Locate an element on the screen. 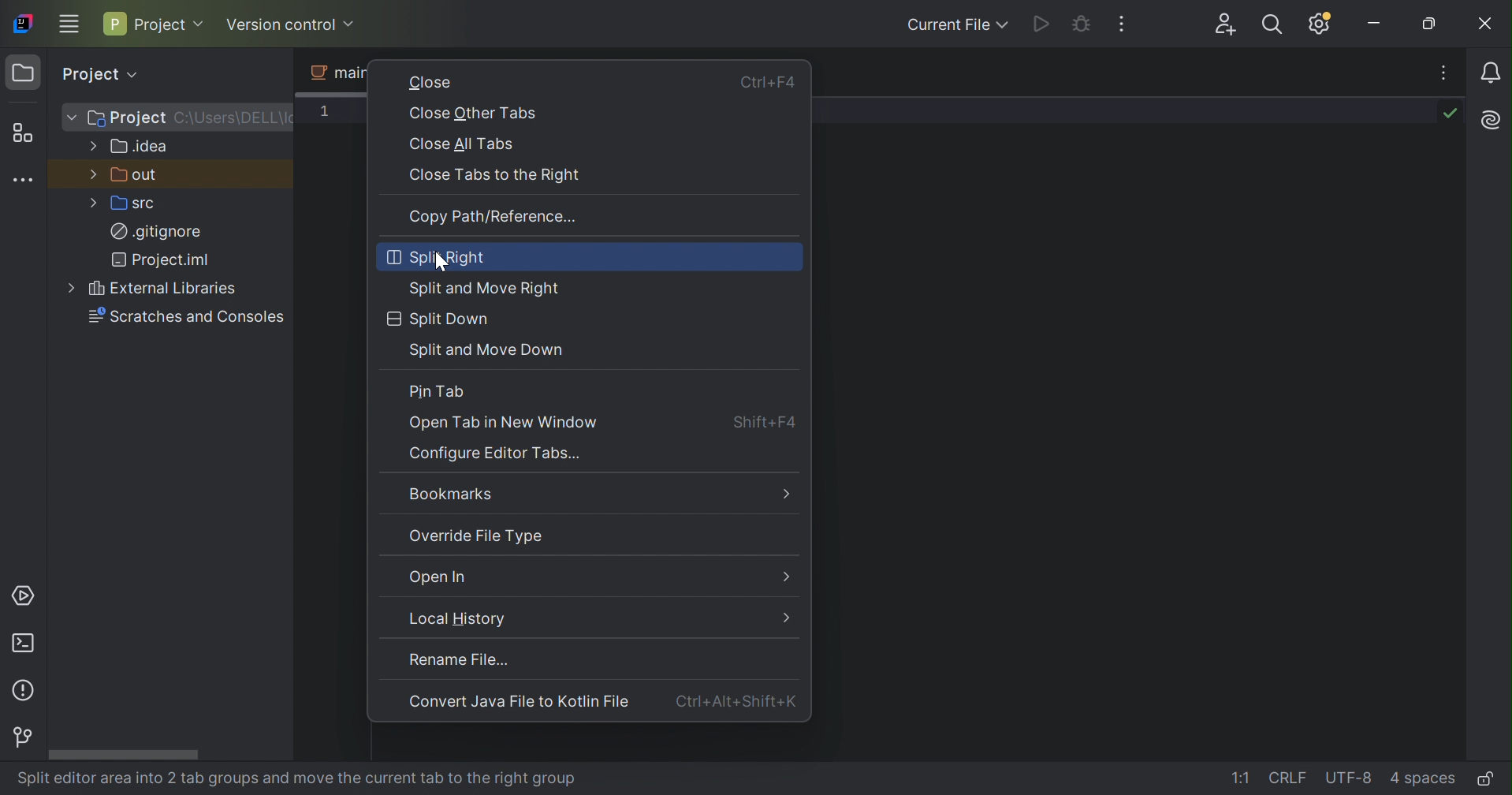 This screenshot has width=1512, height=795. Minimize is located at coordinates (1377, 24).